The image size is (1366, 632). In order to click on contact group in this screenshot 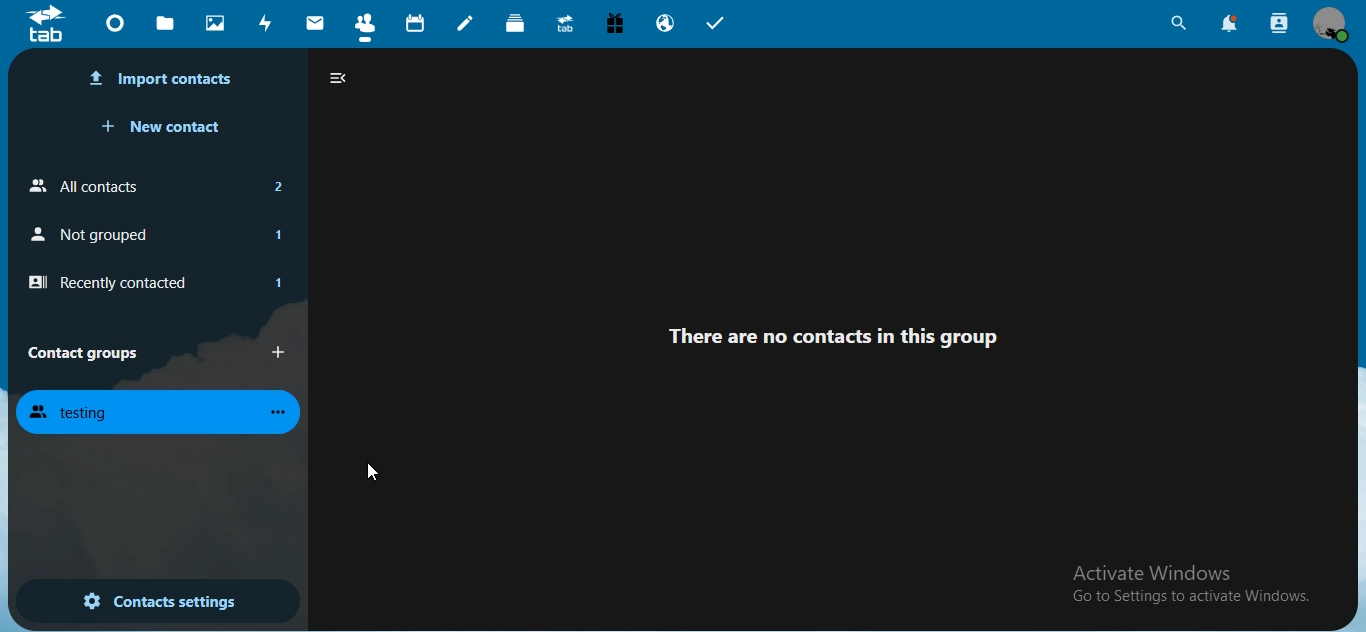, I will do `click(82, 351)`.